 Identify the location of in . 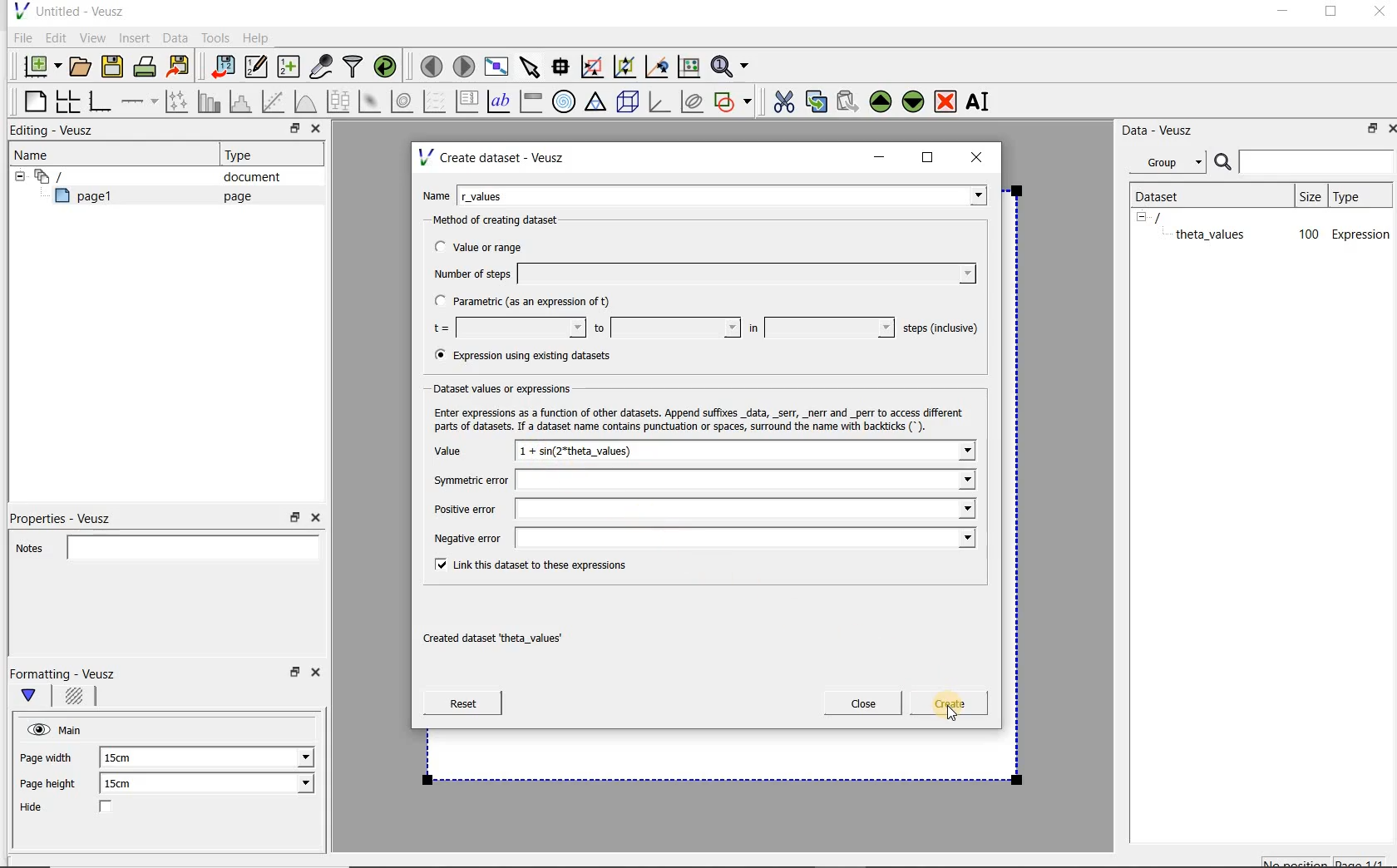
(819, 328).